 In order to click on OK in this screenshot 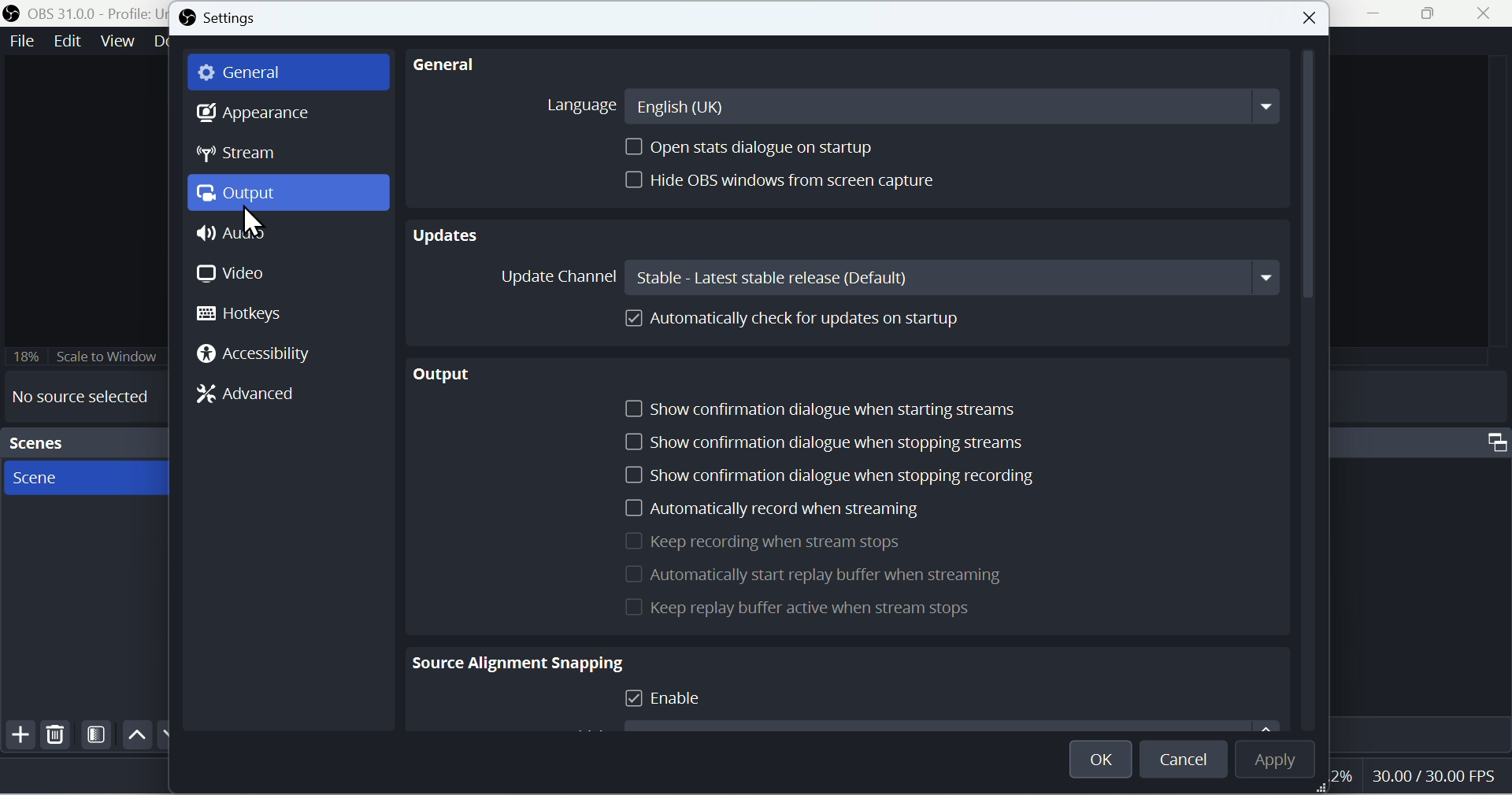, I will do `click(1102, 755)`.